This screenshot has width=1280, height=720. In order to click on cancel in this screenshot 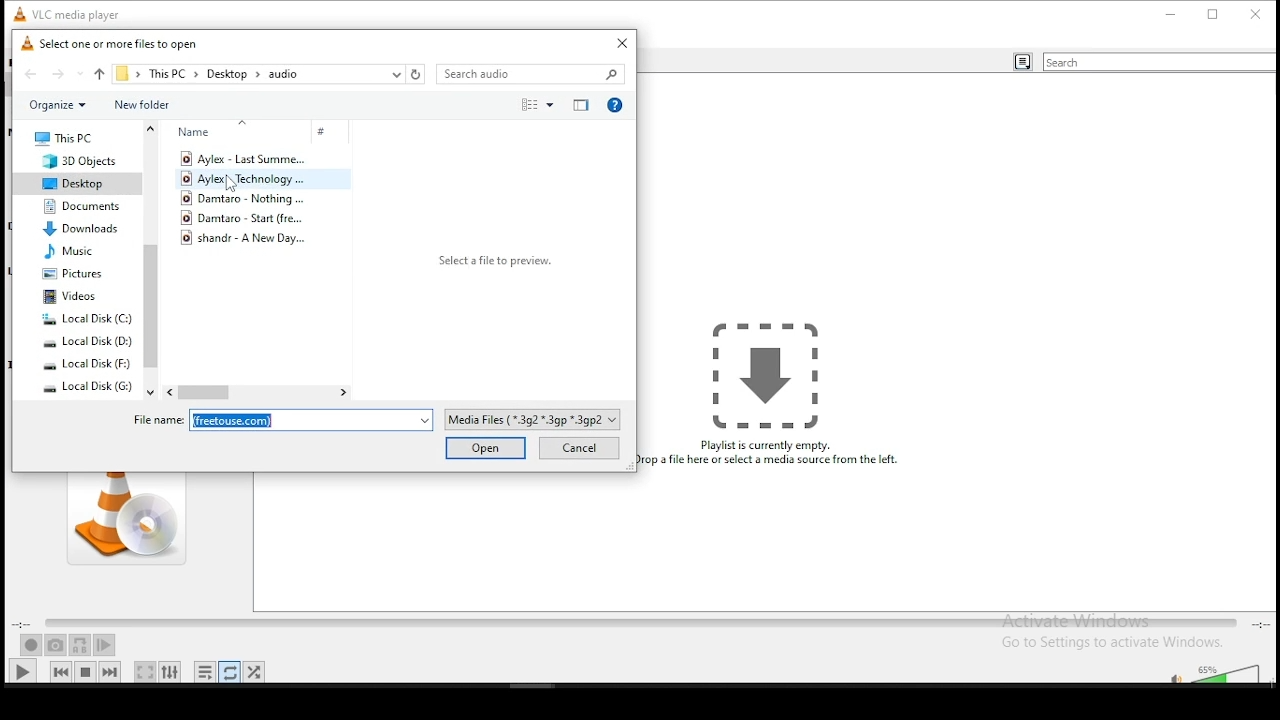, I will do `click(577, 450)`.